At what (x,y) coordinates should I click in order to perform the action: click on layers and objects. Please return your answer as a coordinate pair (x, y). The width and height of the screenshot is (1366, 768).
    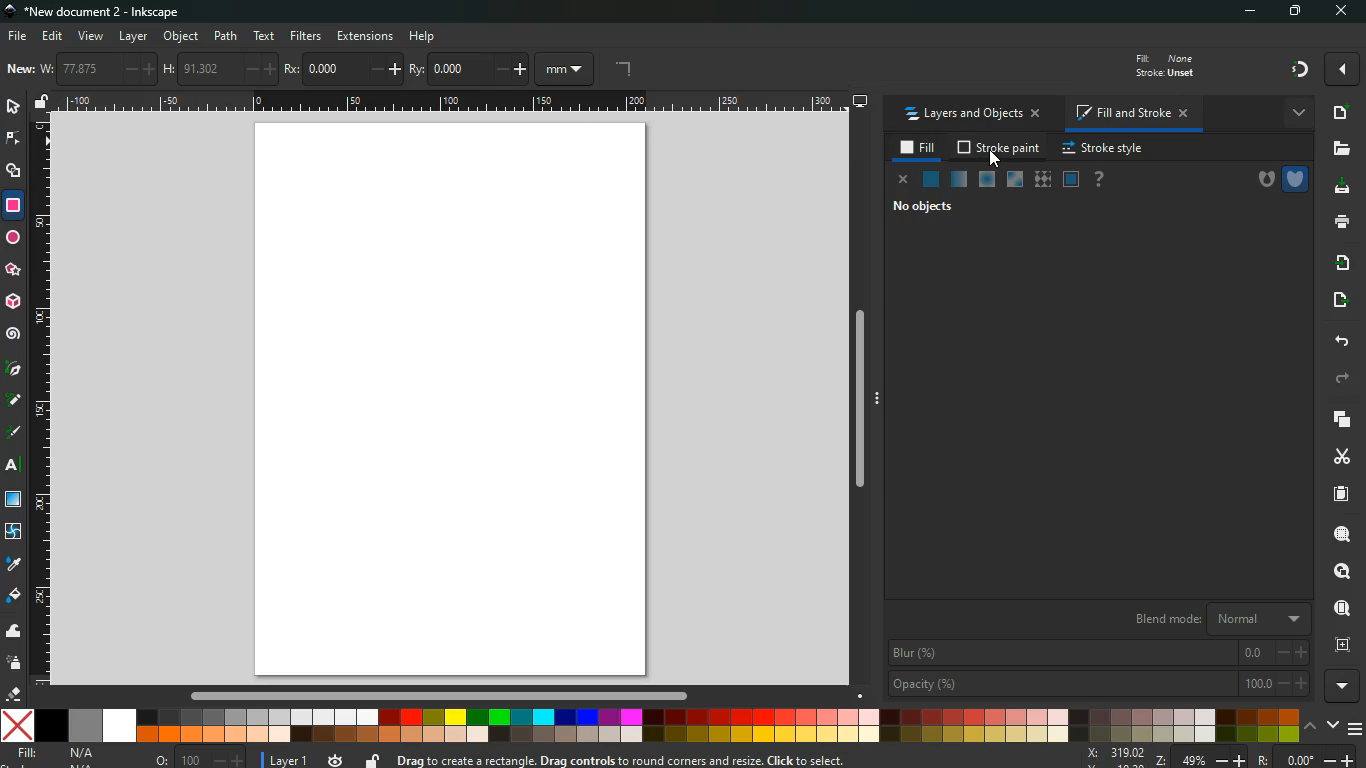
    Looking at the image, I should click on (974, 115).